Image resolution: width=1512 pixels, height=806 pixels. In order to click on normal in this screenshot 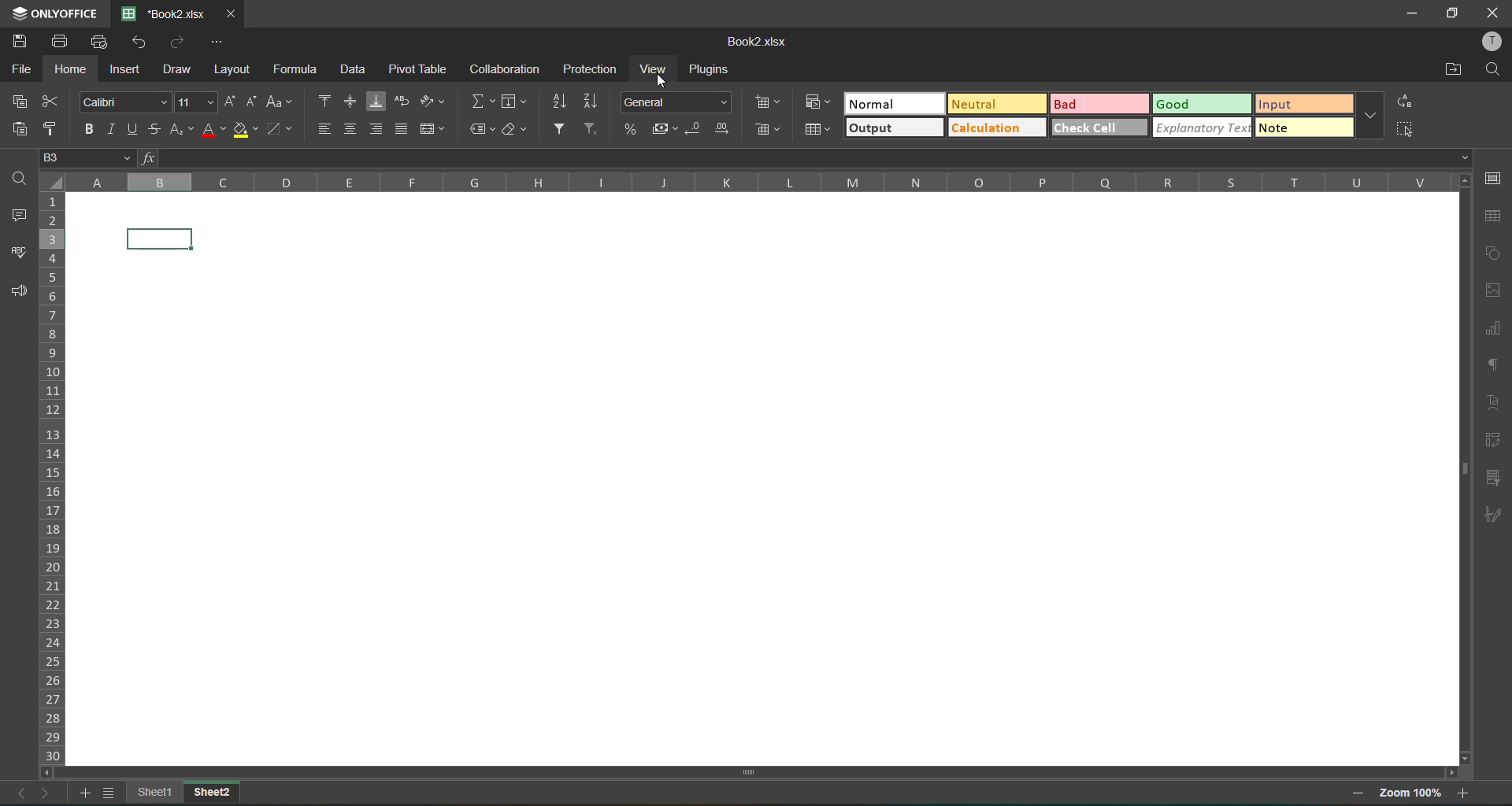, I will do `click(895, 104)`.